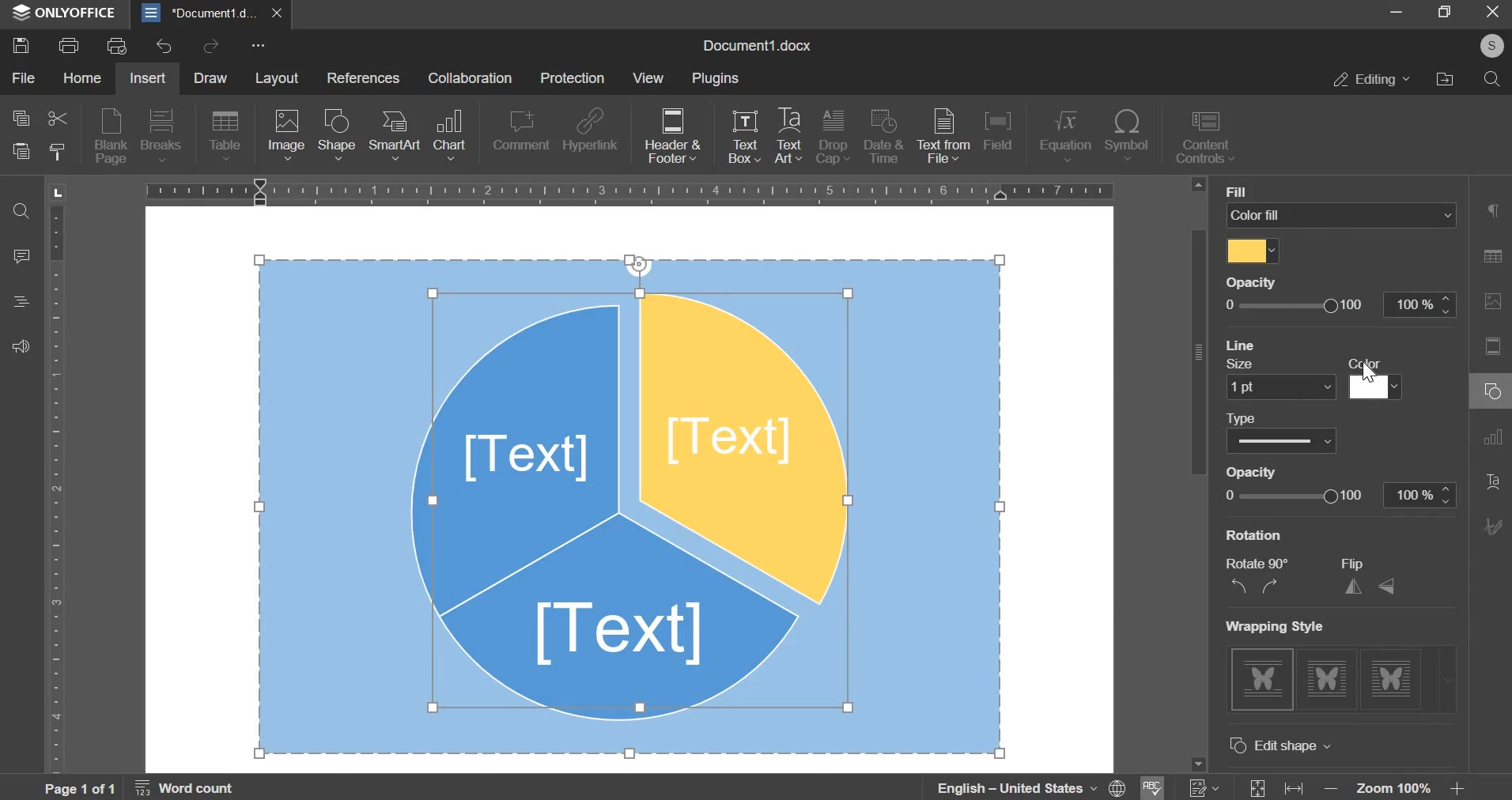 This screenshot has height=800, width=1512. What do you see at coordinates (1302, 745) in the screenshot?
I see `advanced settings` at bounding box center [1302, 745].